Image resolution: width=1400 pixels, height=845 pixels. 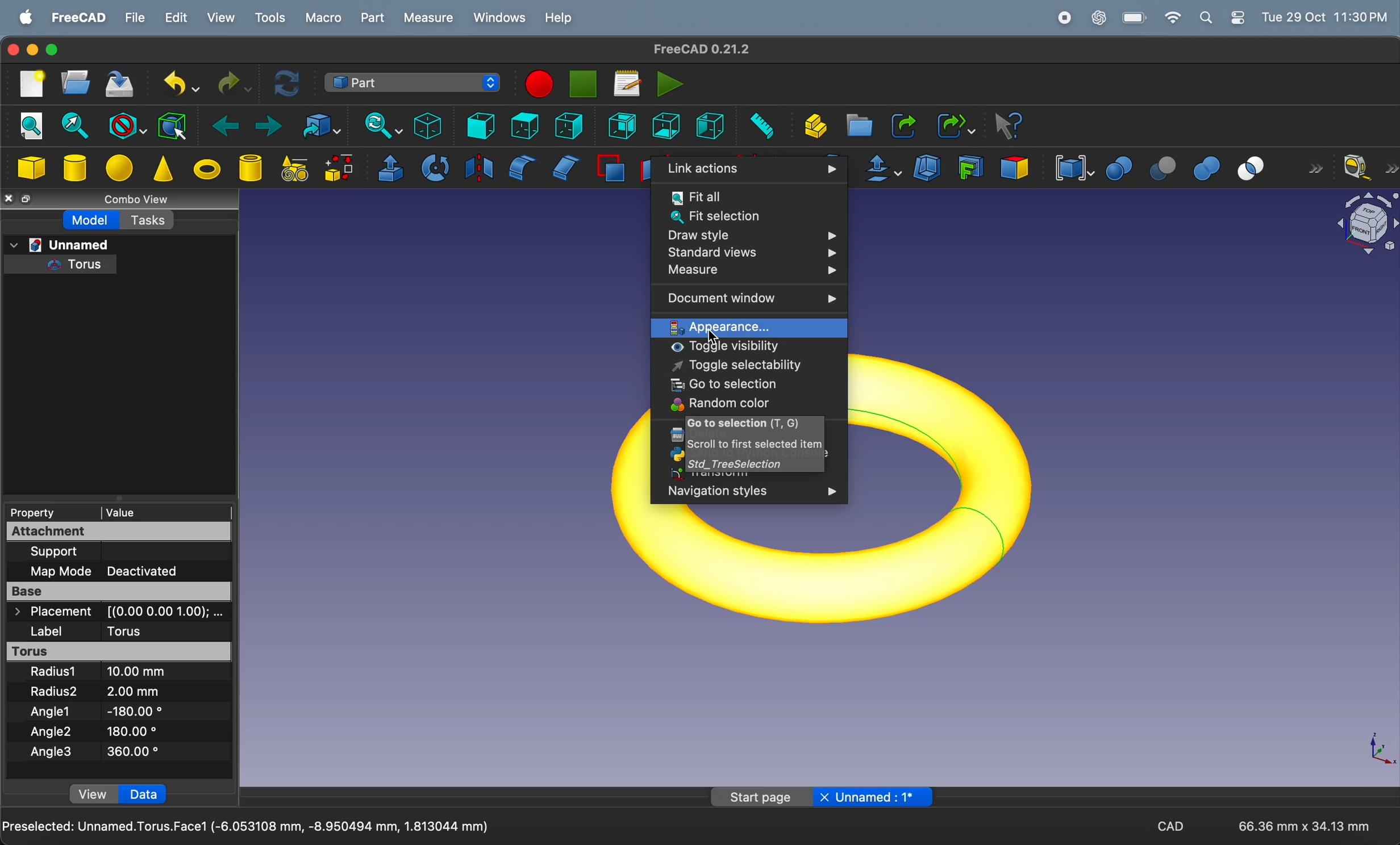 What do you see at coordinates (584, 84) in the screenshot?
I see `stop marco recording` at bounding box center [584, 84].